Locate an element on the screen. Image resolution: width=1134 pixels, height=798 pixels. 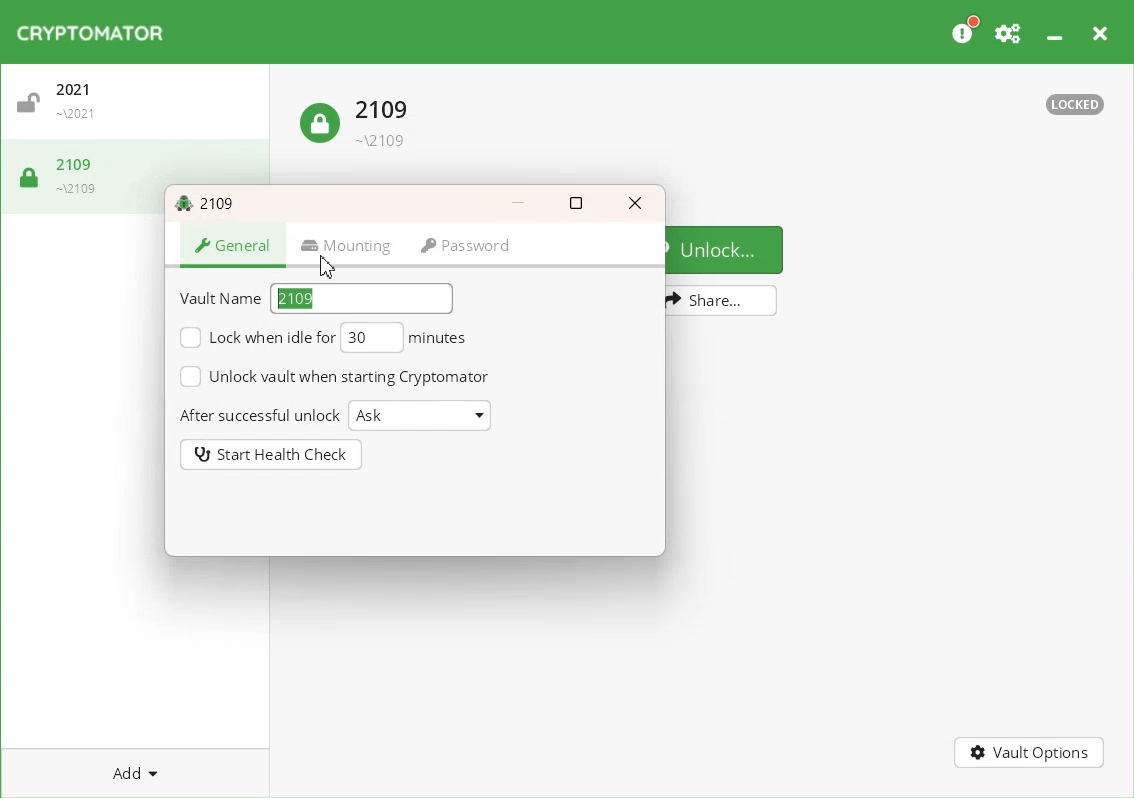
Text is located at coordinates (296, 300).